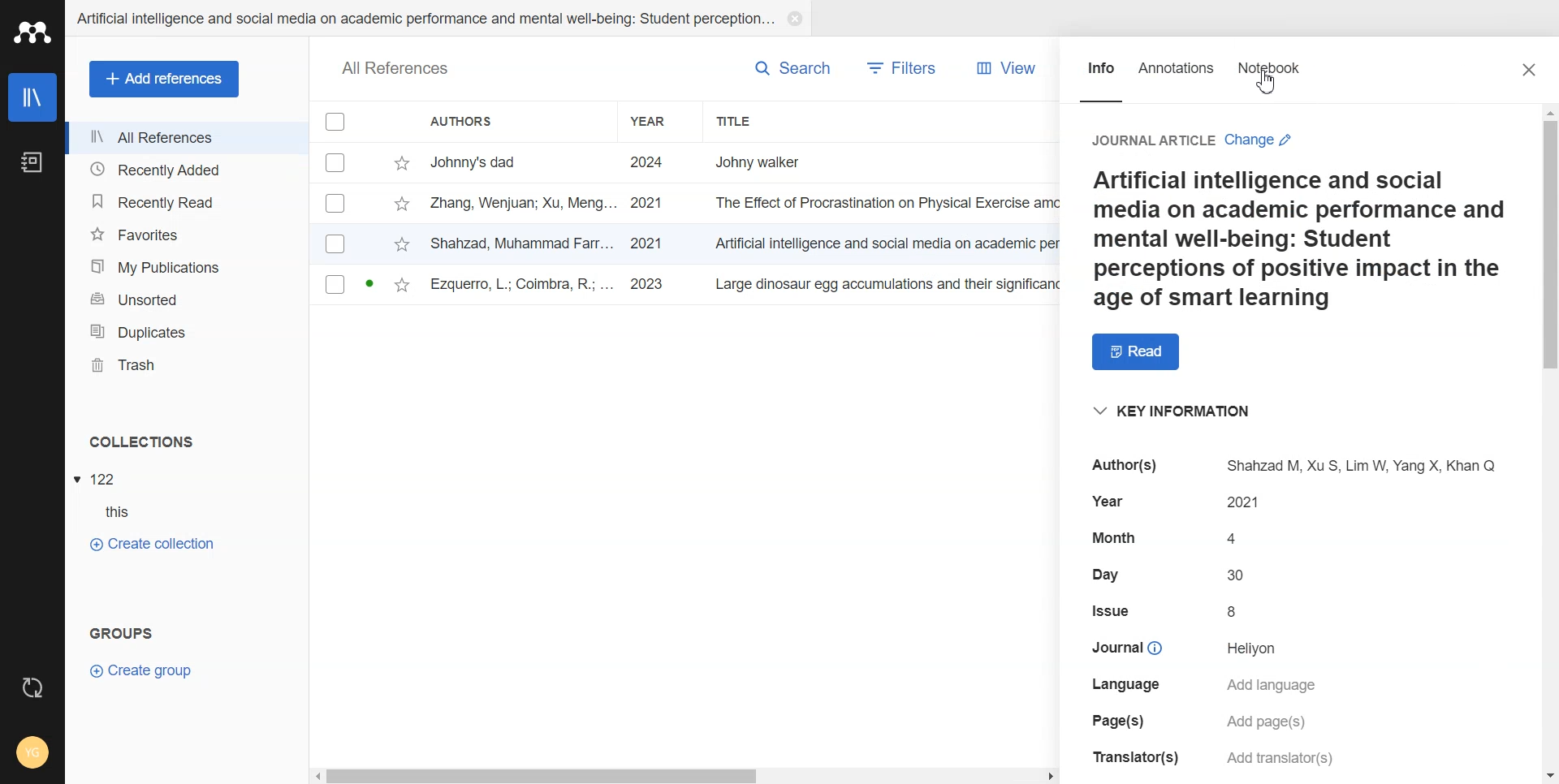 This screenshot has width=1559, height=784. What do you see at coordinates (402, 286) in the screenshot?
I see `star` at bounding box center [402, 286].